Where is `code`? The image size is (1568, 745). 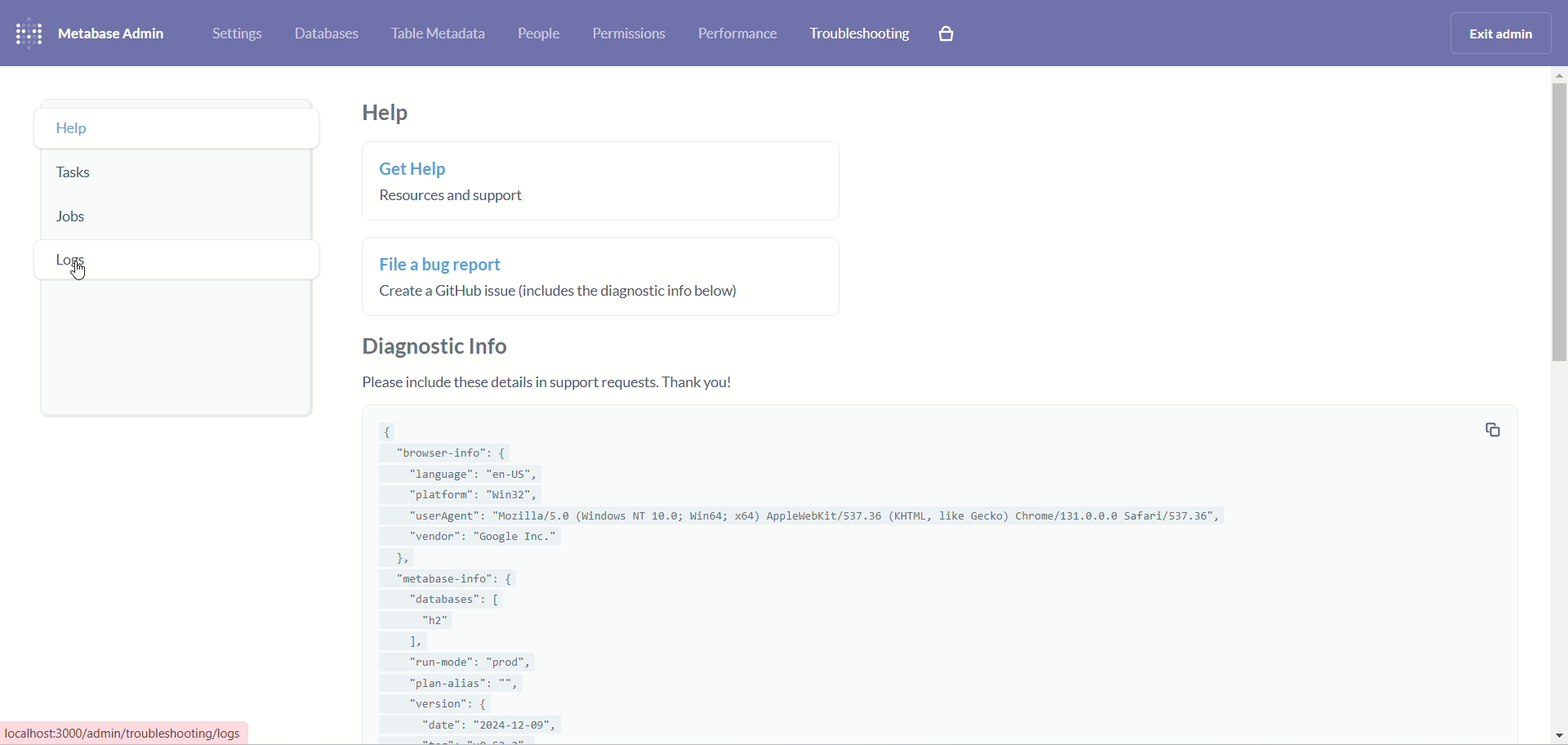
code is located at coordinates (802, 578).